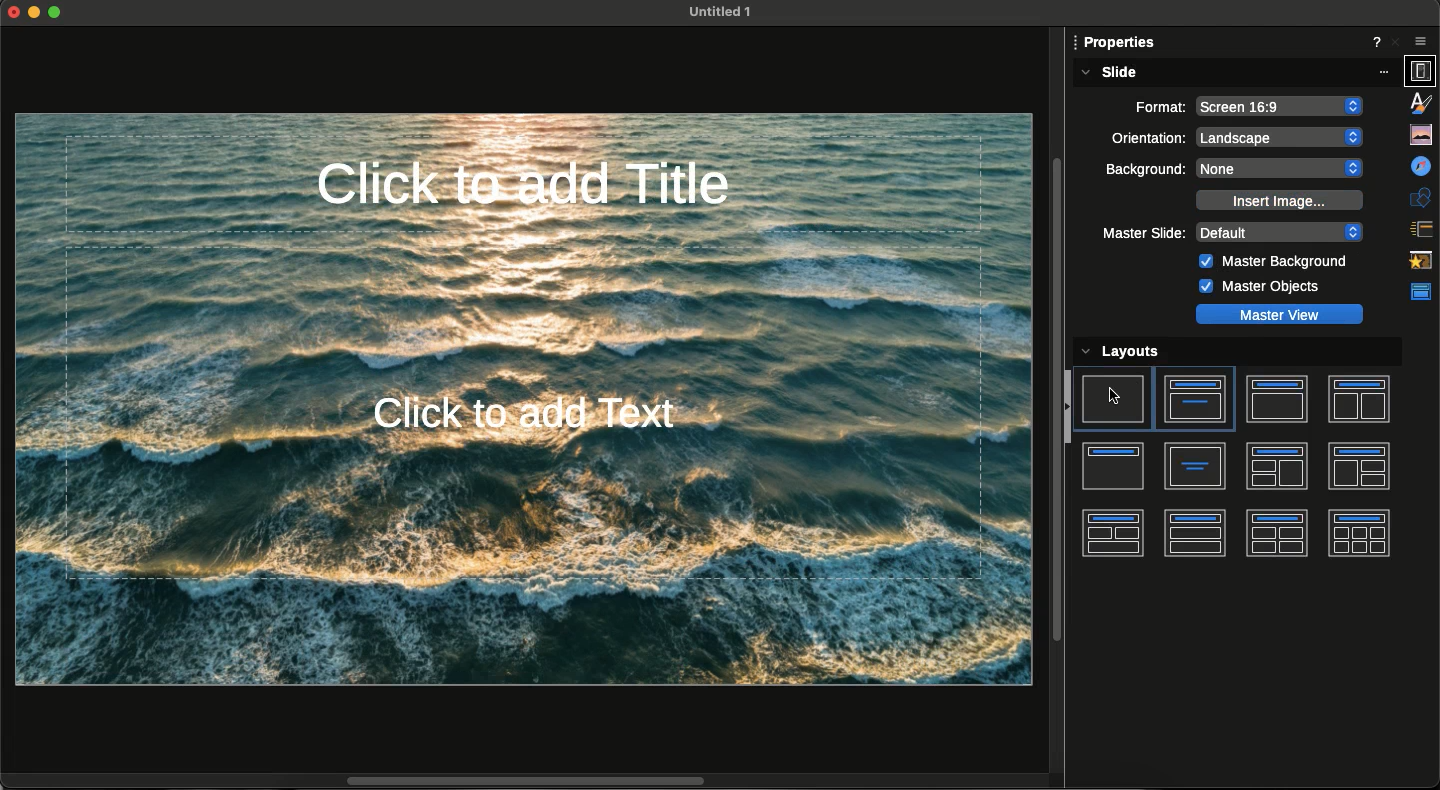 The width and height of the screenshot is (1440, 790). I want to click on Minimize, so click(35, 14).